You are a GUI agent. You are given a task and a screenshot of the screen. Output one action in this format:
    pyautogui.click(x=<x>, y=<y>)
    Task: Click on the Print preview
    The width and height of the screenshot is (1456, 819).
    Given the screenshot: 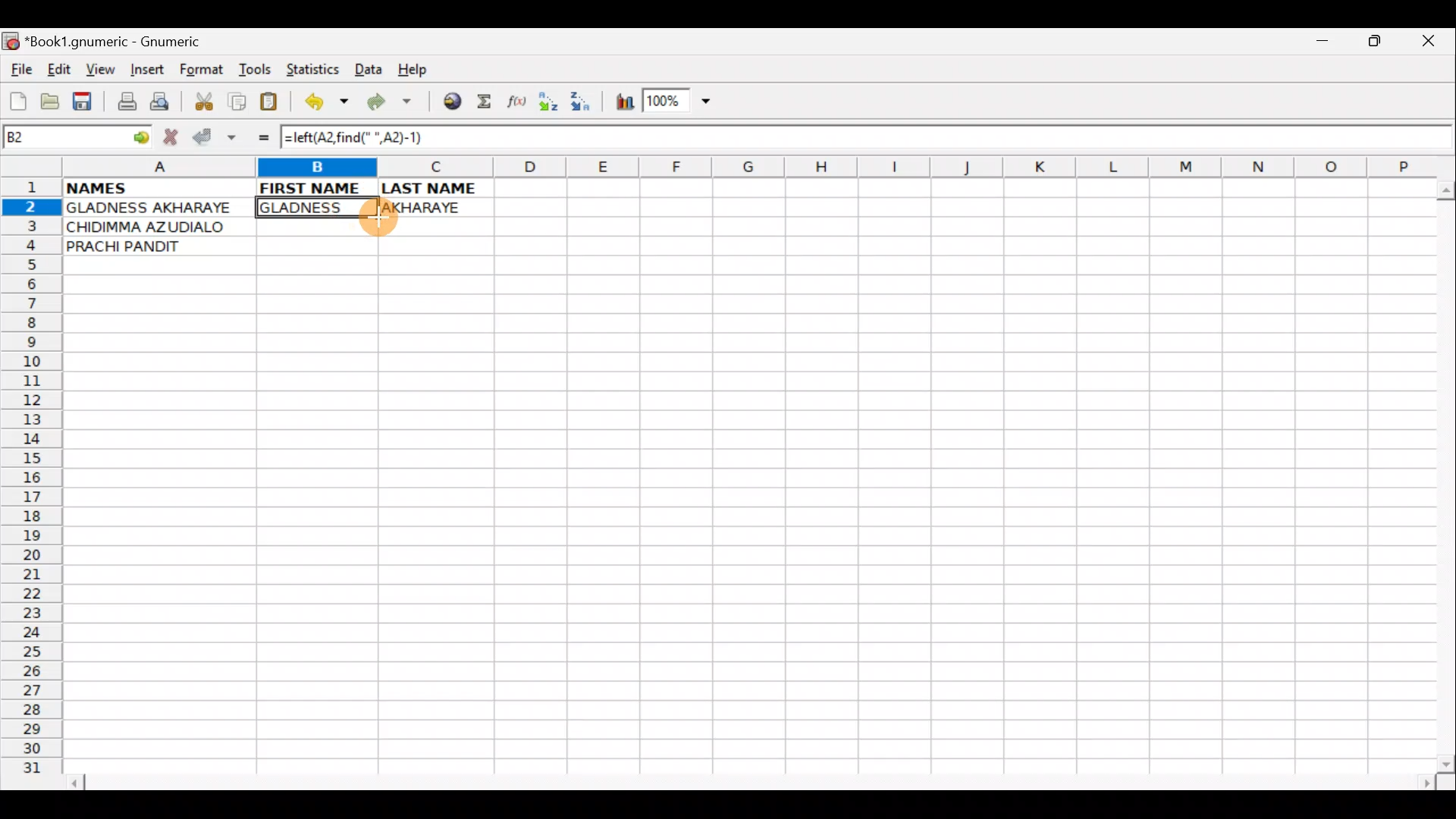 What is the action you would take?
    pyautogui.click(x=160, y=105)
    